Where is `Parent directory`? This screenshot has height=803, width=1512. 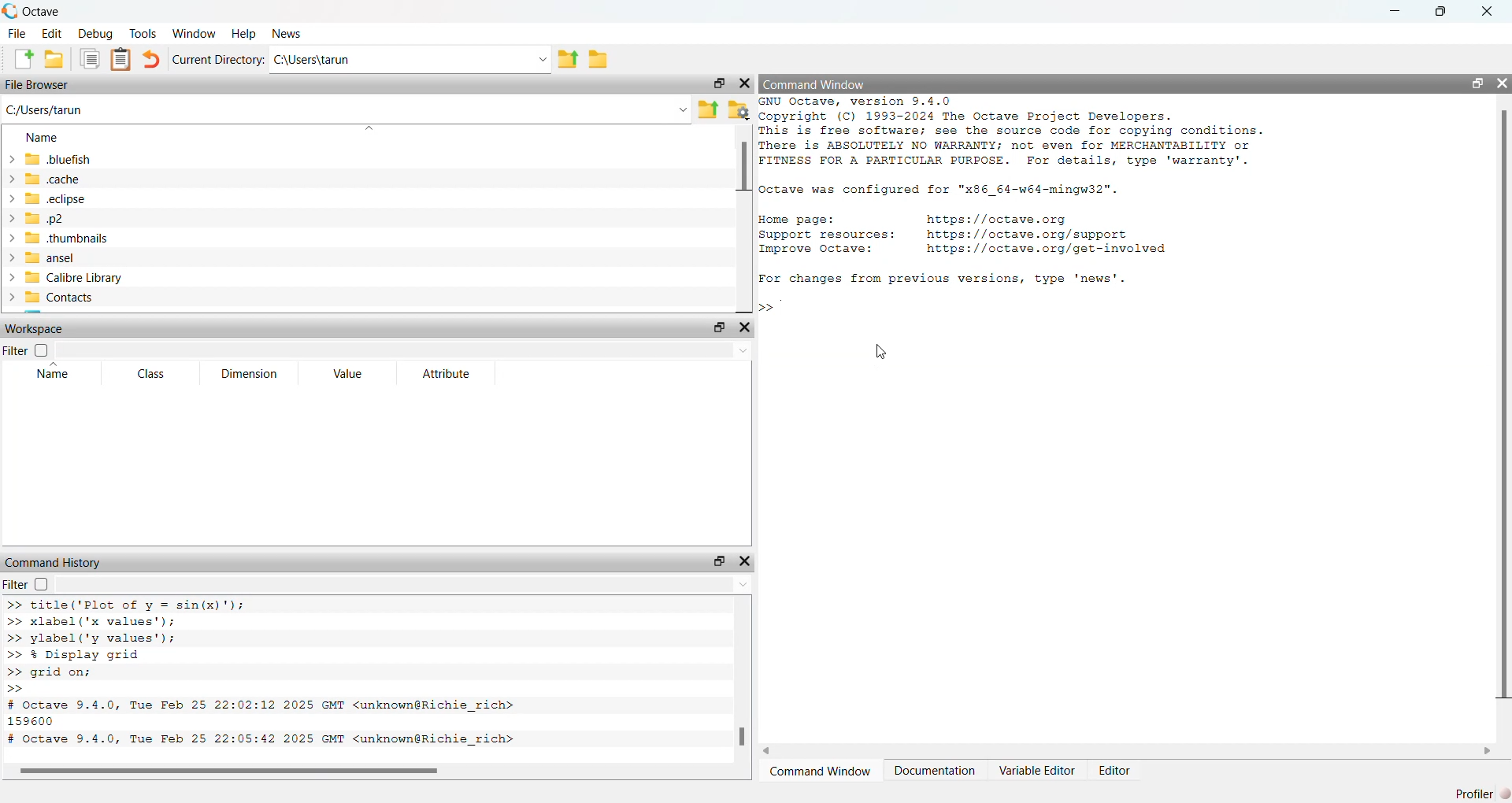
Parent directory is located at coordinates (706, 109).